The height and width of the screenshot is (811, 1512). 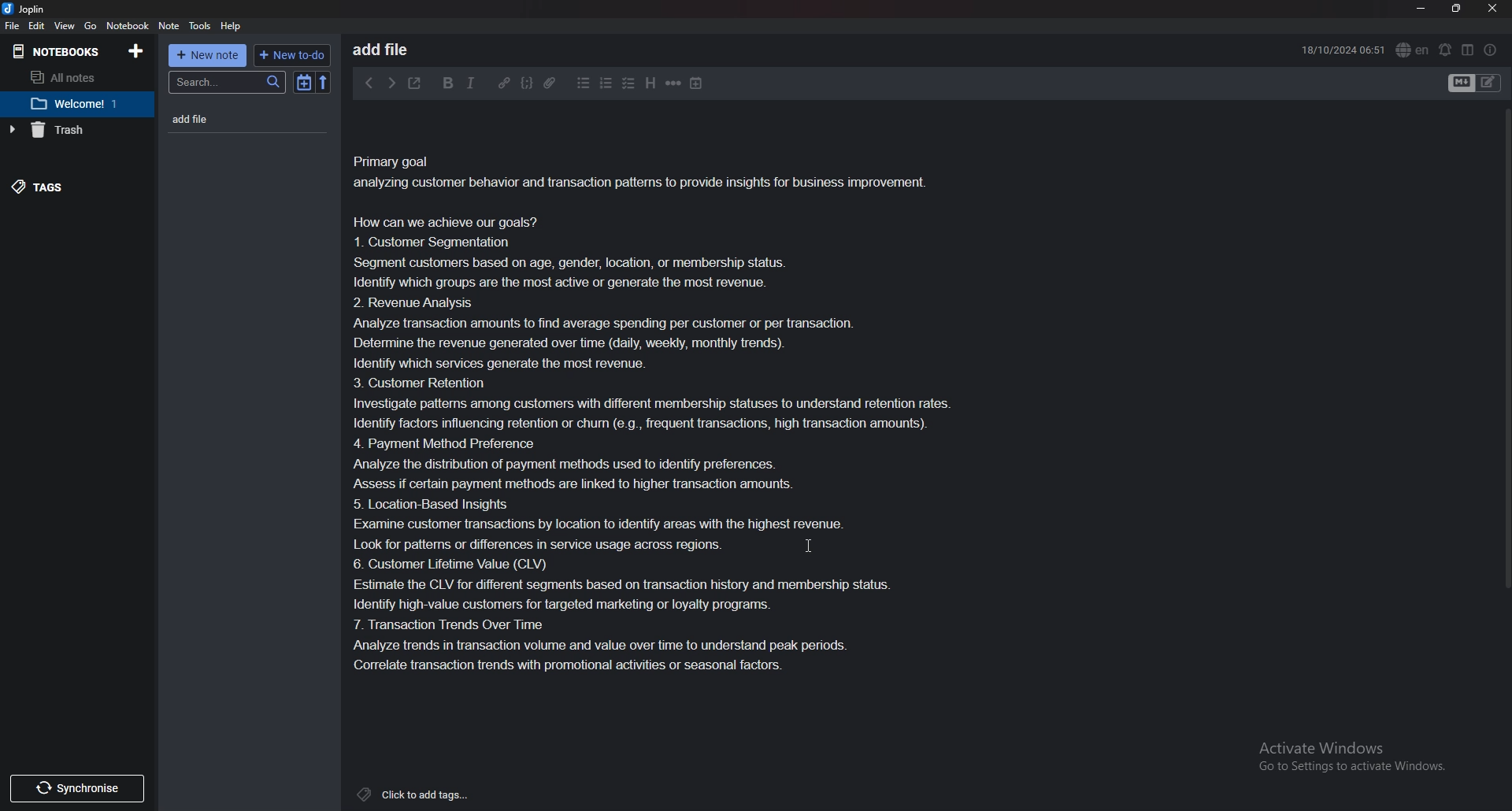 What do you see at coordinates (649, 83) in the screenshot?
I see `Heading` at bounding box center [649, 83].